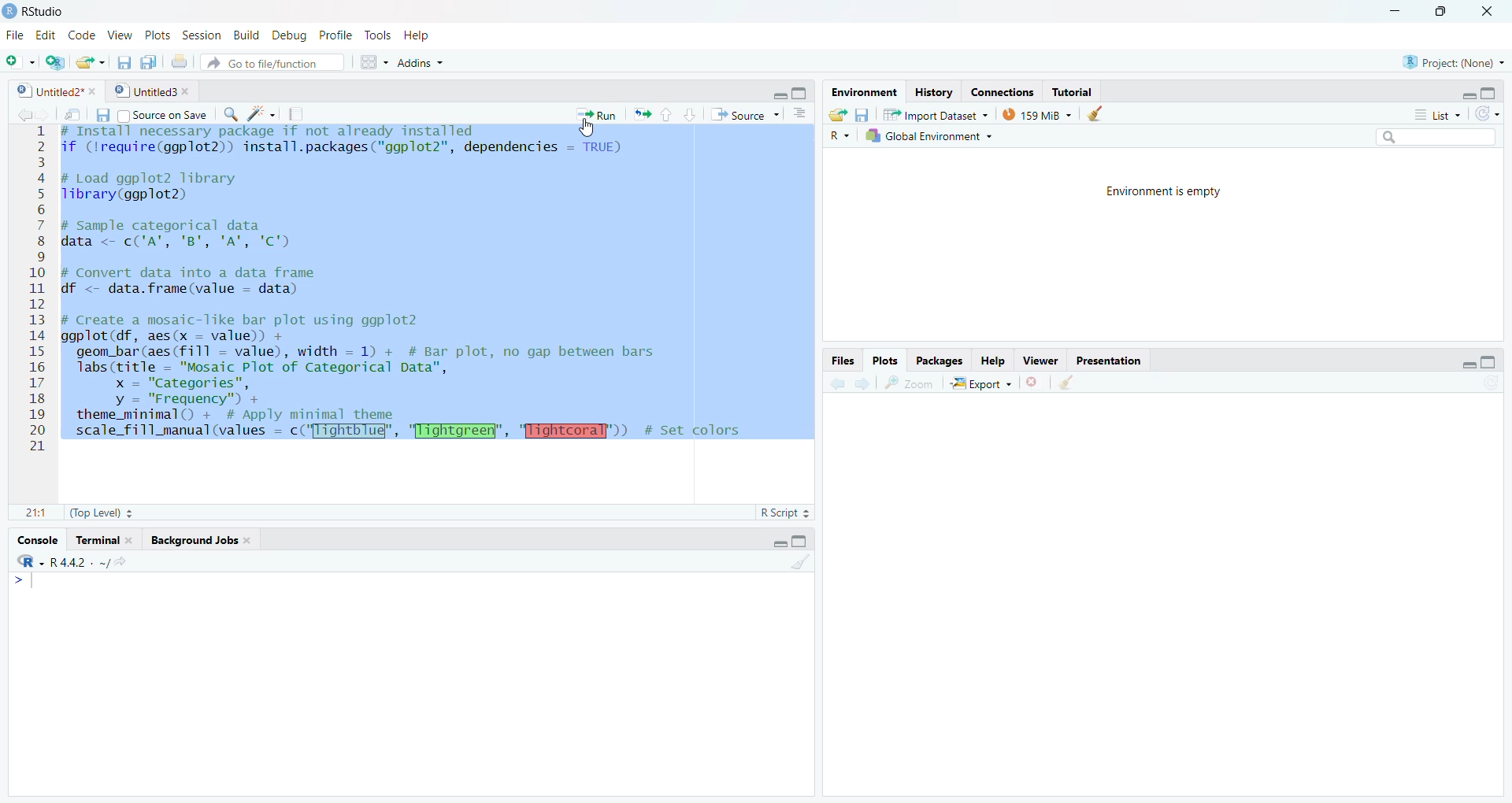  What do you see at coordinates (202, 37) in the screenshot?
I see `Session` at bounding box center [202, 37].